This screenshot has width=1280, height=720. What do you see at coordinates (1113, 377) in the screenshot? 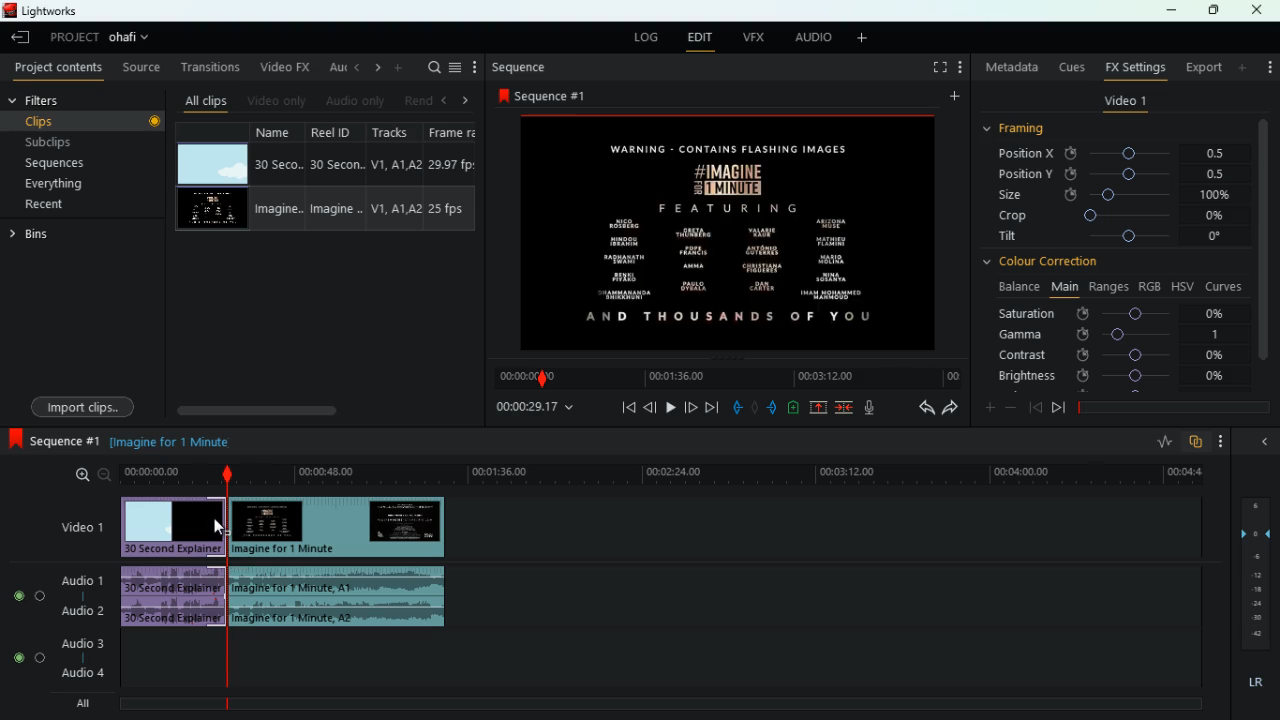
I see `brightness` at bounding box center [1113, 377].